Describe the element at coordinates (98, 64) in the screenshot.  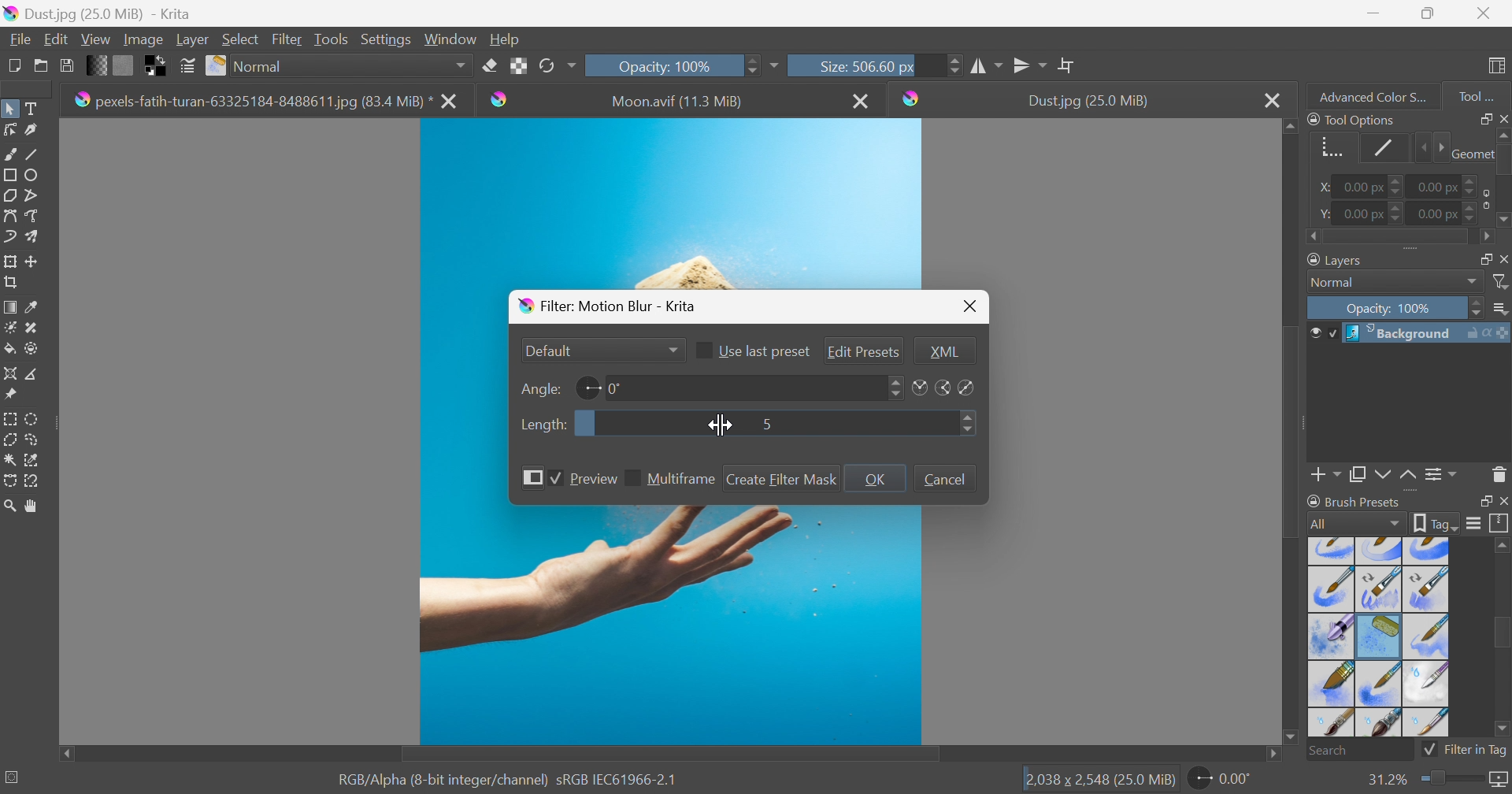
I see `Fill gradients` at that location.